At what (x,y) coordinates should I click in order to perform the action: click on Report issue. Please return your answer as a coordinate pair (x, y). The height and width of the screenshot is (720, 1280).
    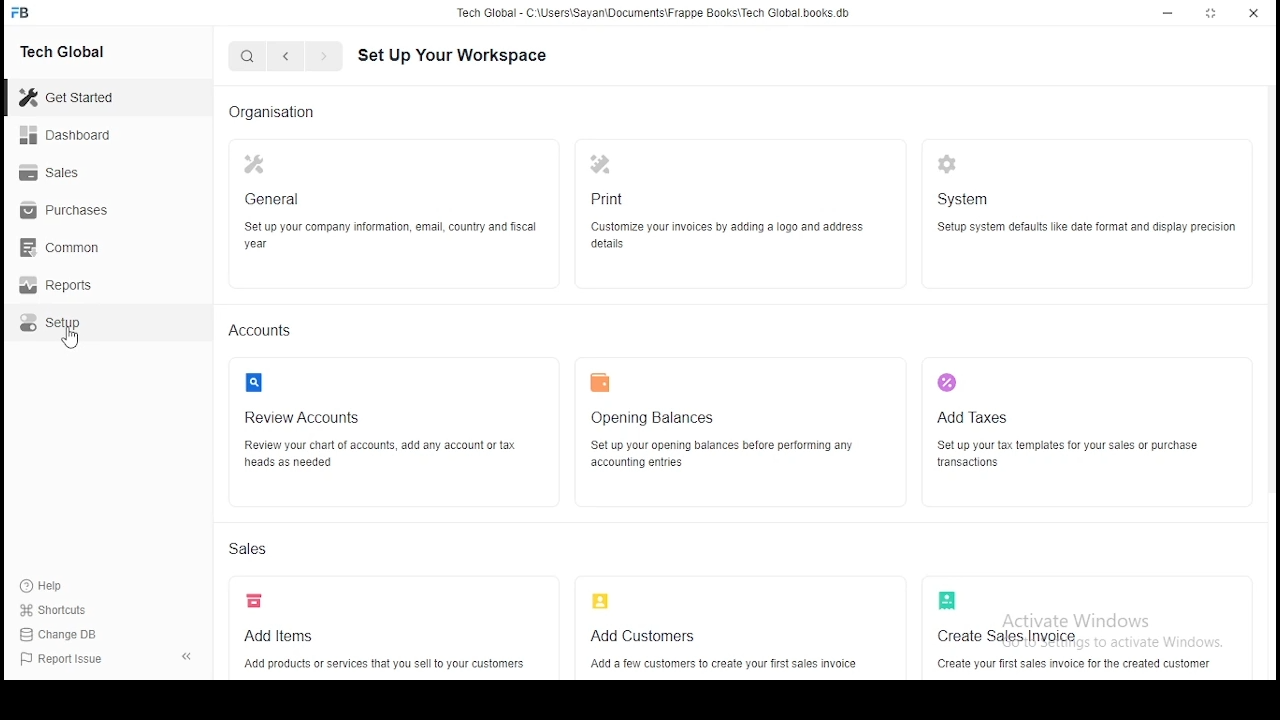
    Looking at the image, I should click on (78, 661).